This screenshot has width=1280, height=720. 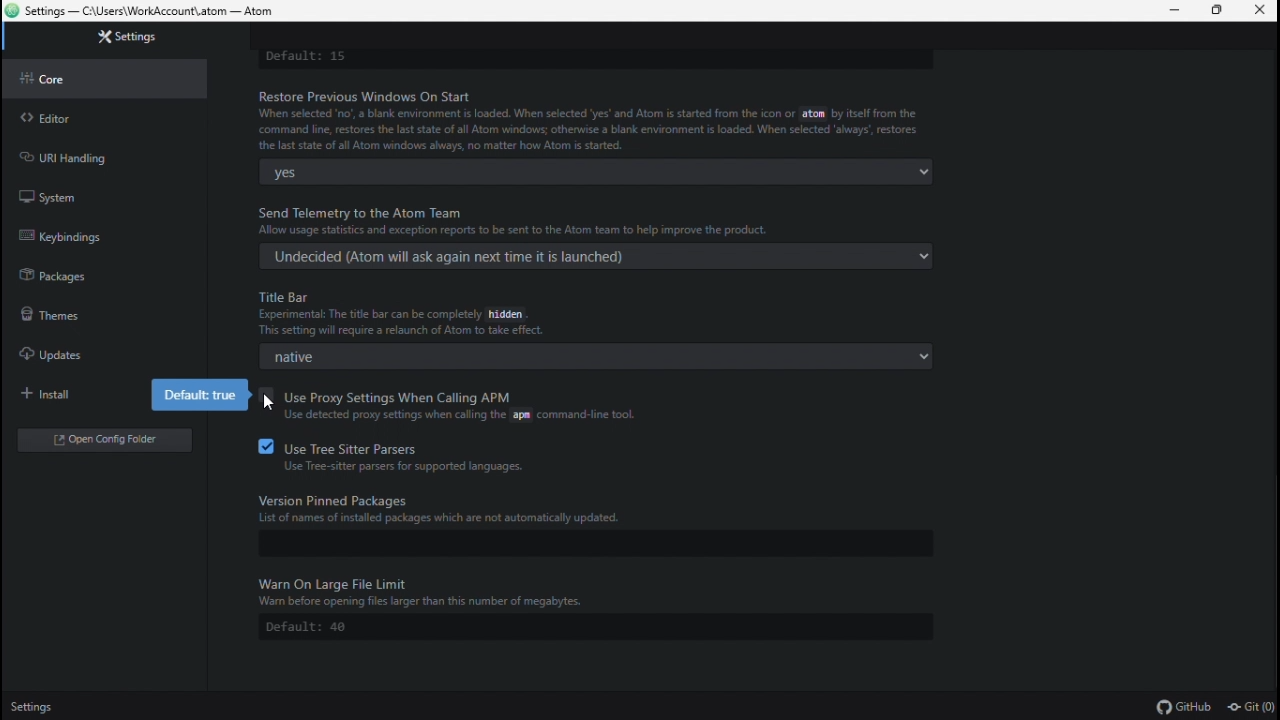 What do you see at coordinates (1185, 706) in the screenshot?
I see `GitHub` at bounding box center [1185, 706].